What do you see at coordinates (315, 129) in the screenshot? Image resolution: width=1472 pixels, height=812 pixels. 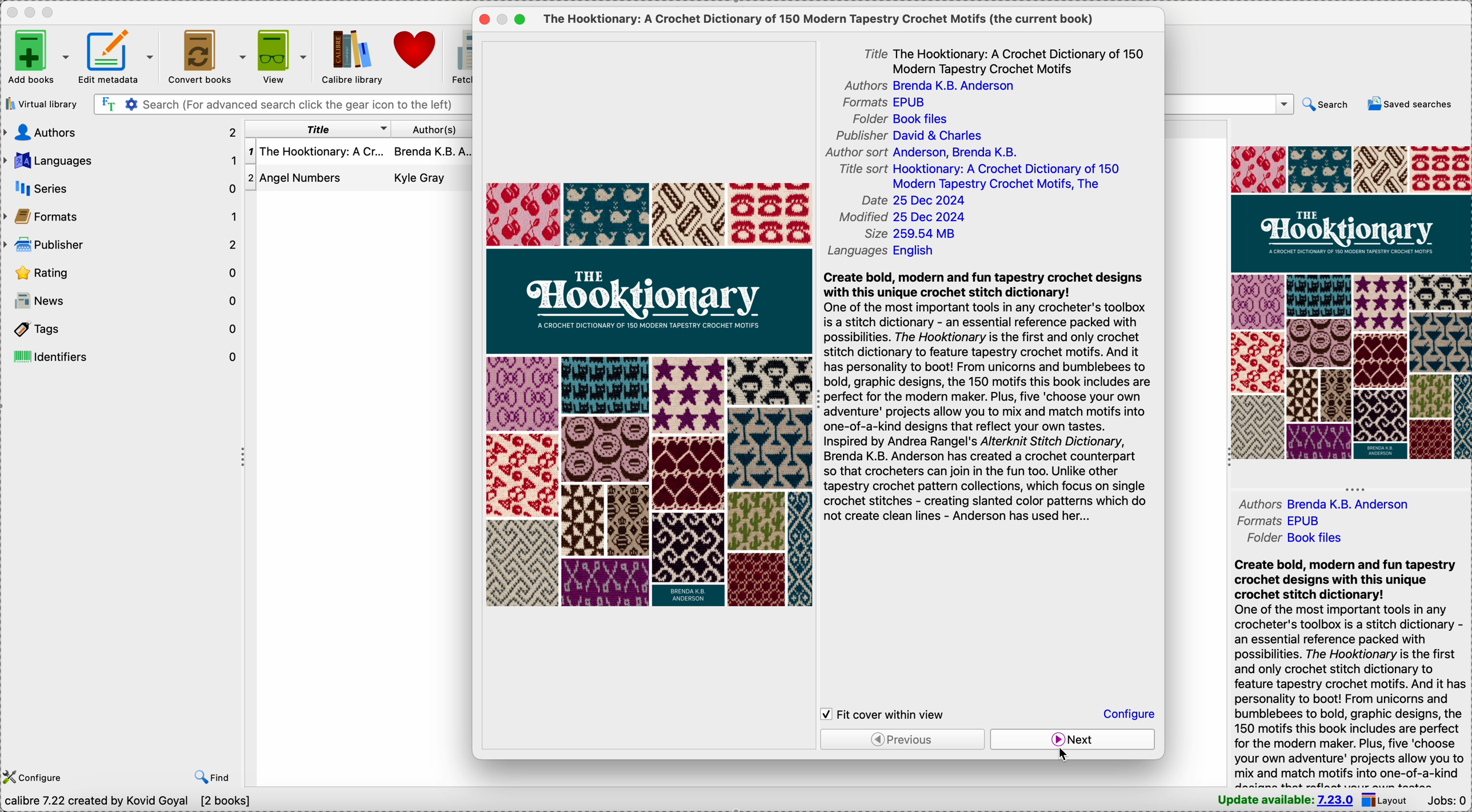 I see `title` at bounding box center [315, 129].